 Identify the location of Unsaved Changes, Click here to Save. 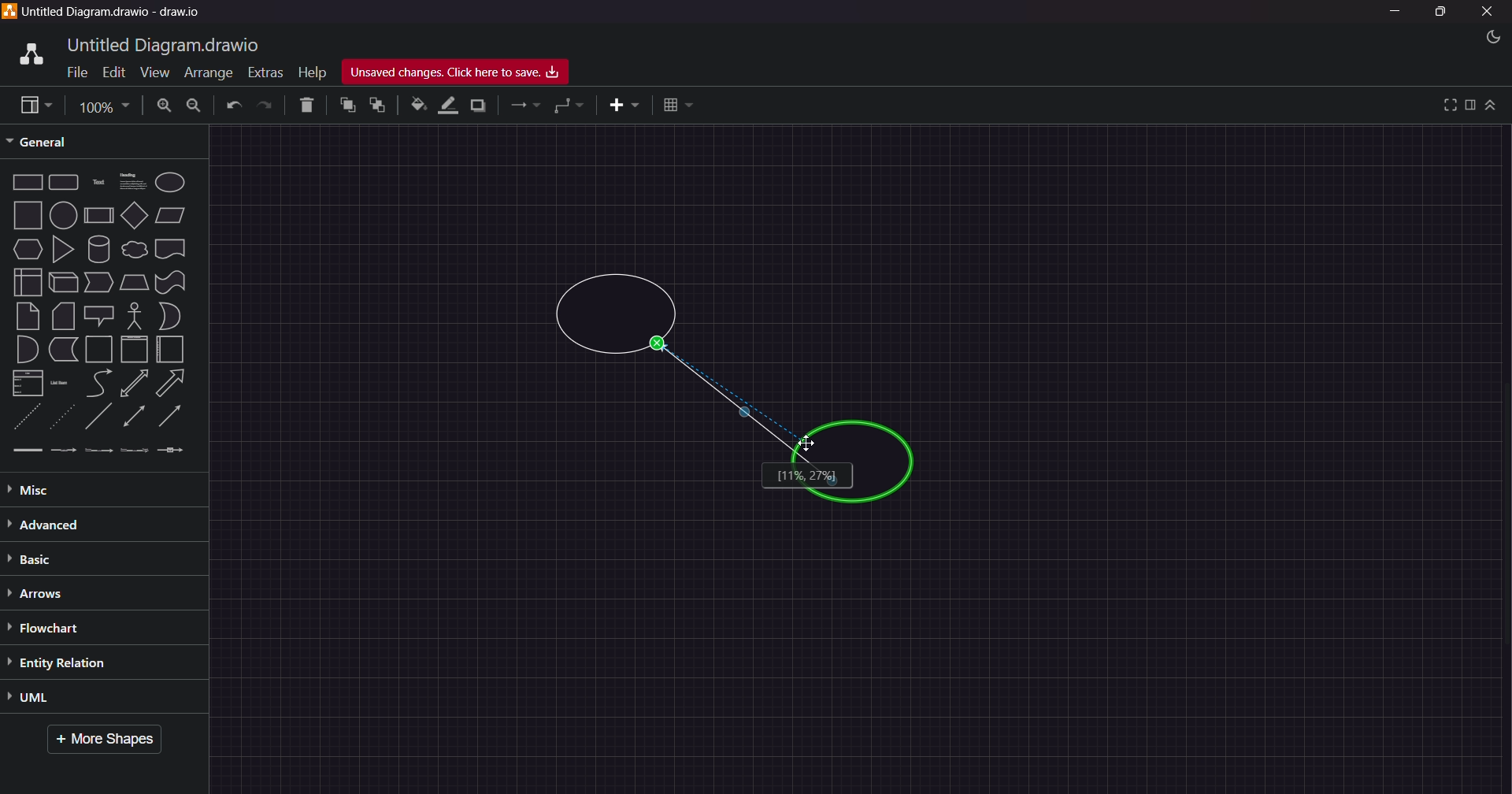
(462, 72).